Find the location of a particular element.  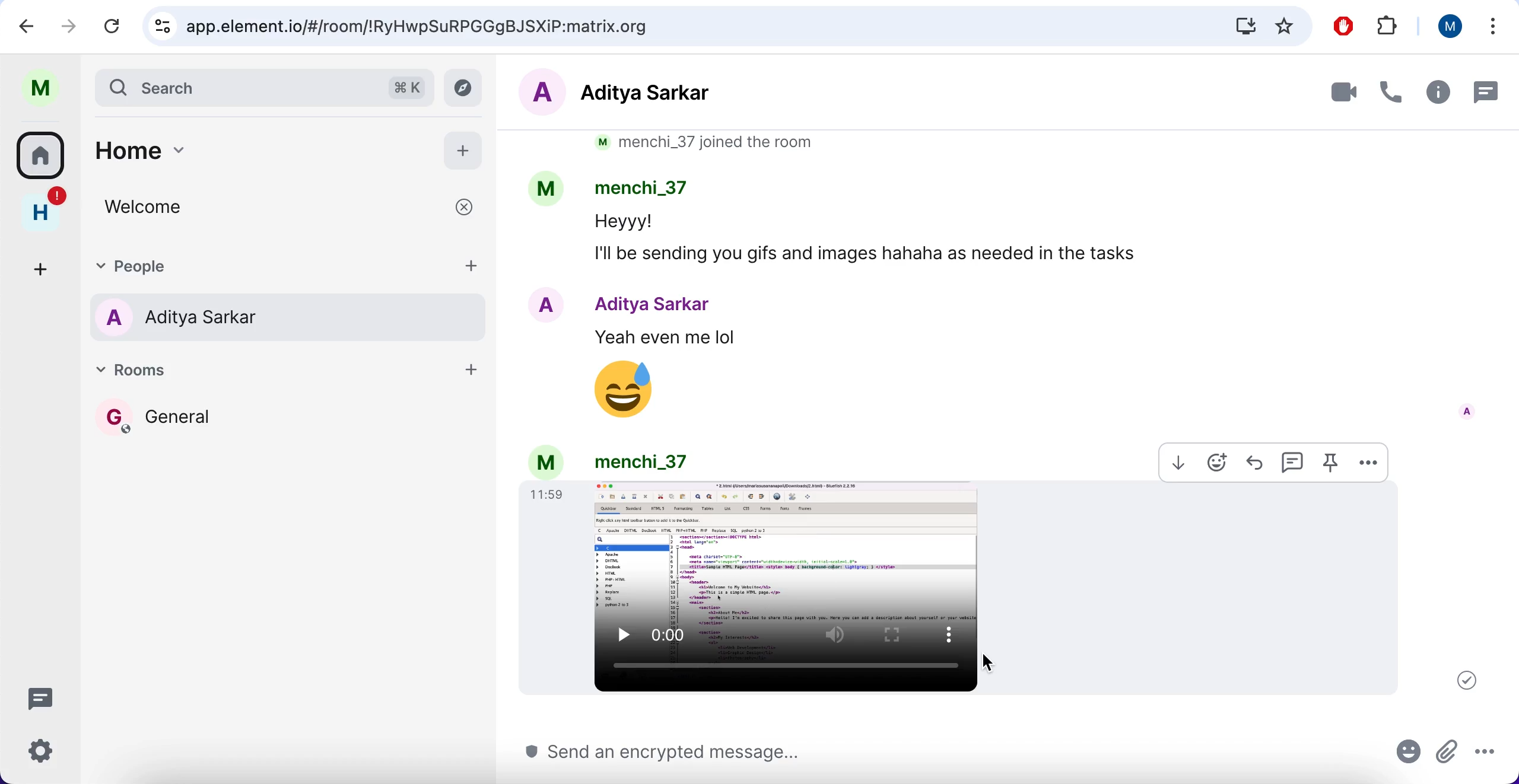

more options is located at coordinates (1494, 753).